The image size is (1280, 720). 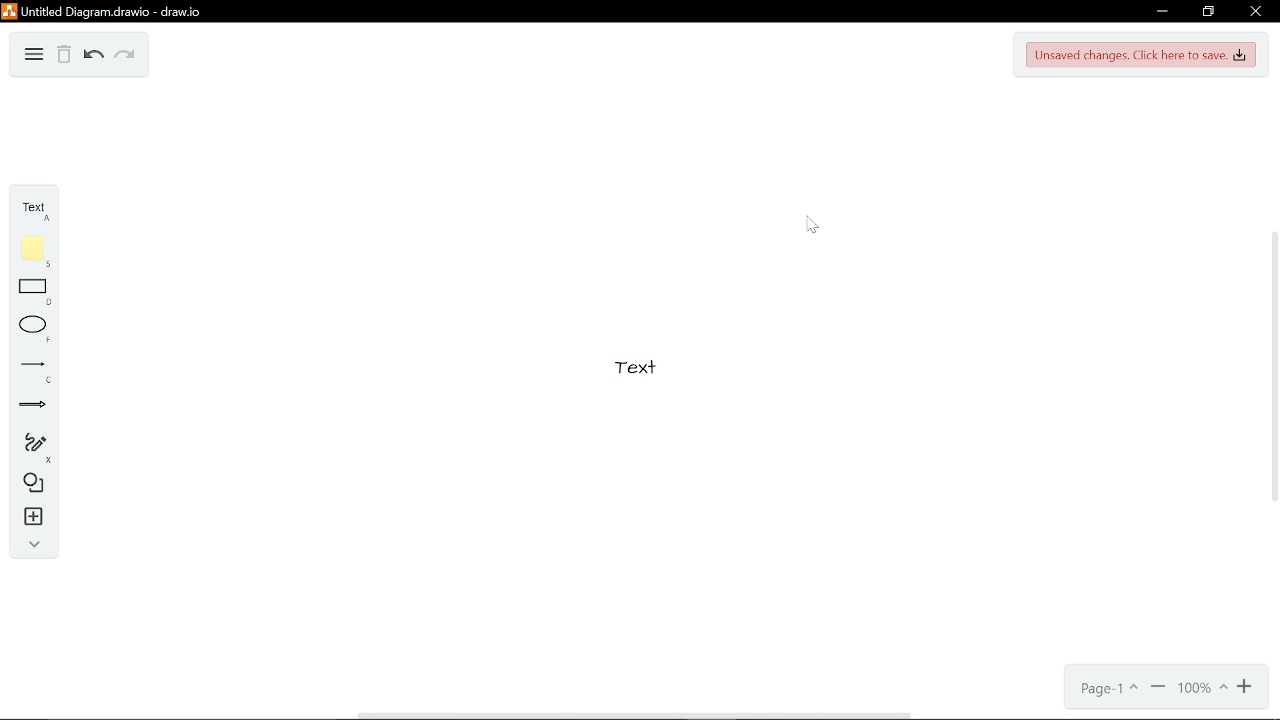 I want to click on Freehand, so click(x=29, y=447).